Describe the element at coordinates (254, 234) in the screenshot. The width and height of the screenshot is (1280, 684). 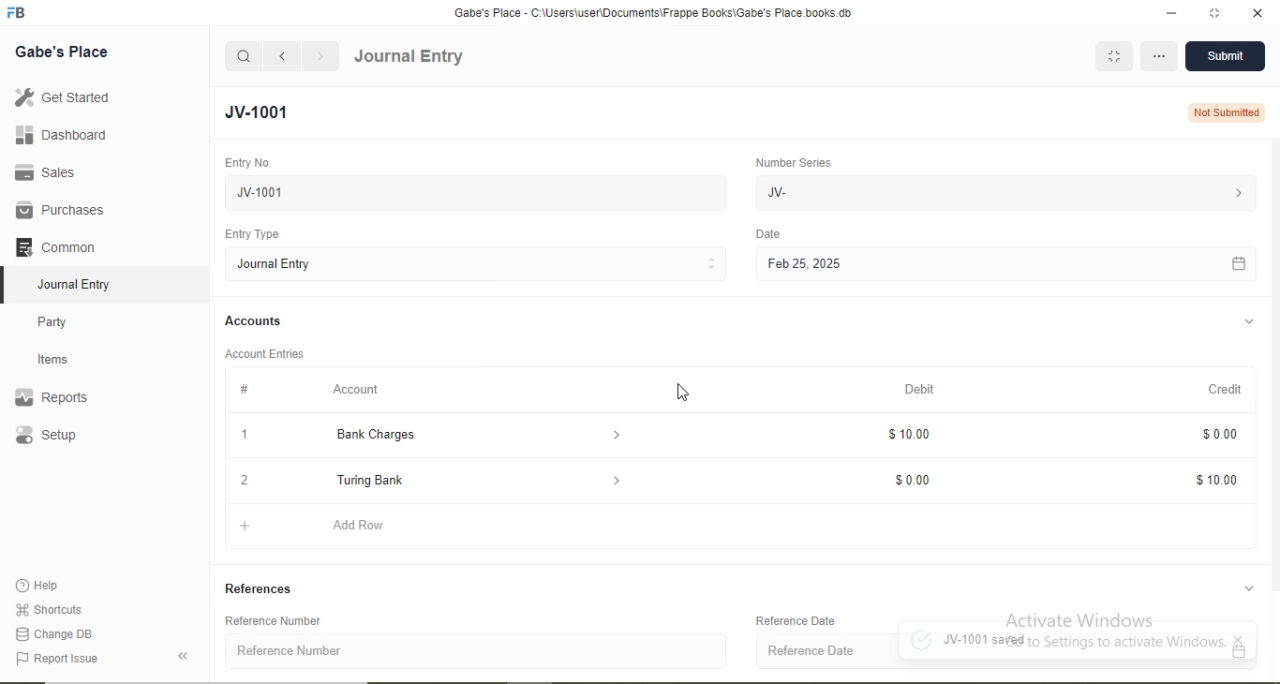
I see `Entry Type` at that location.